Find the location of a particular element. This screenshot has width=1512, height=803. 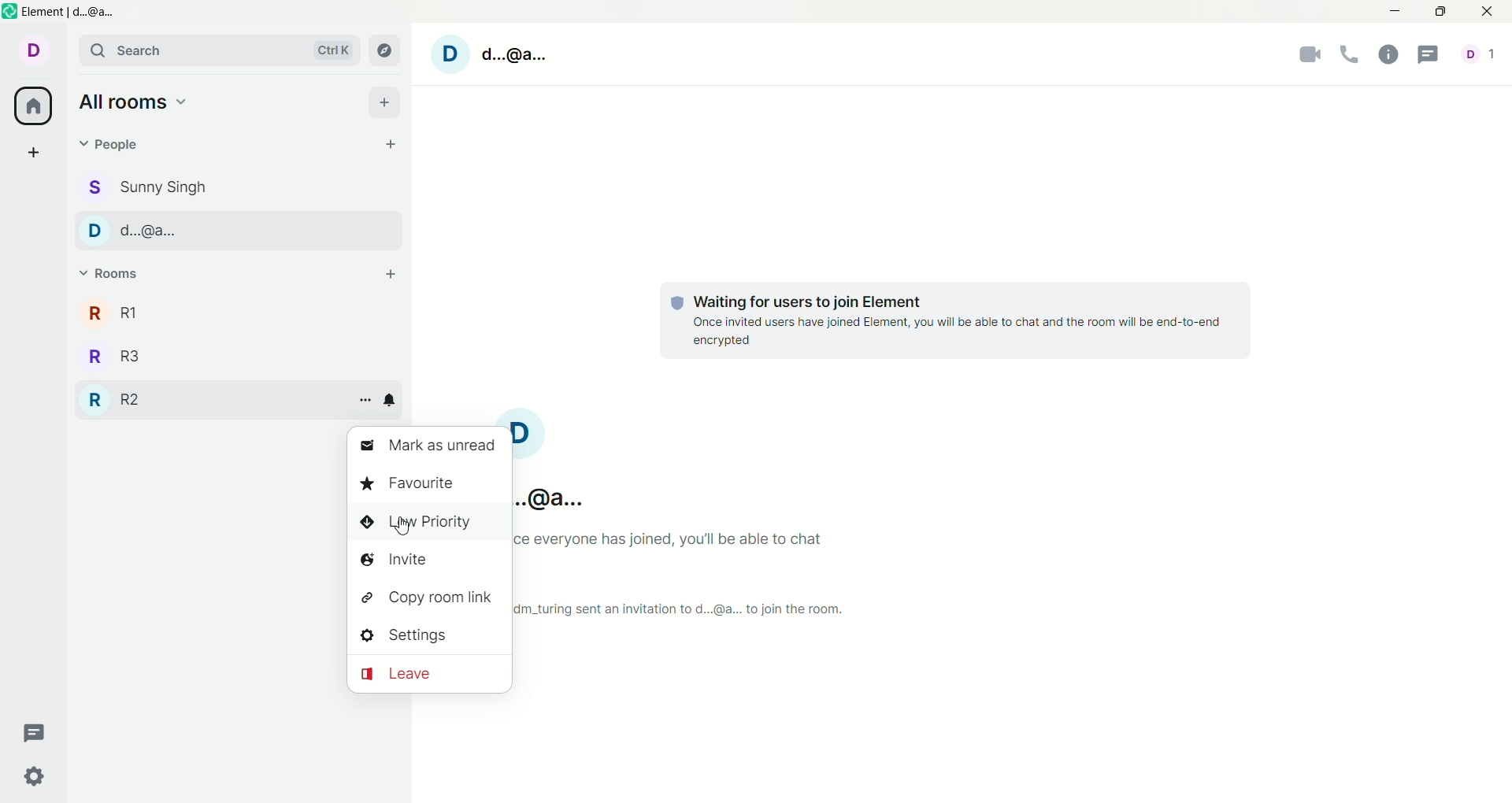

close is located at coordinates (1491, 12).